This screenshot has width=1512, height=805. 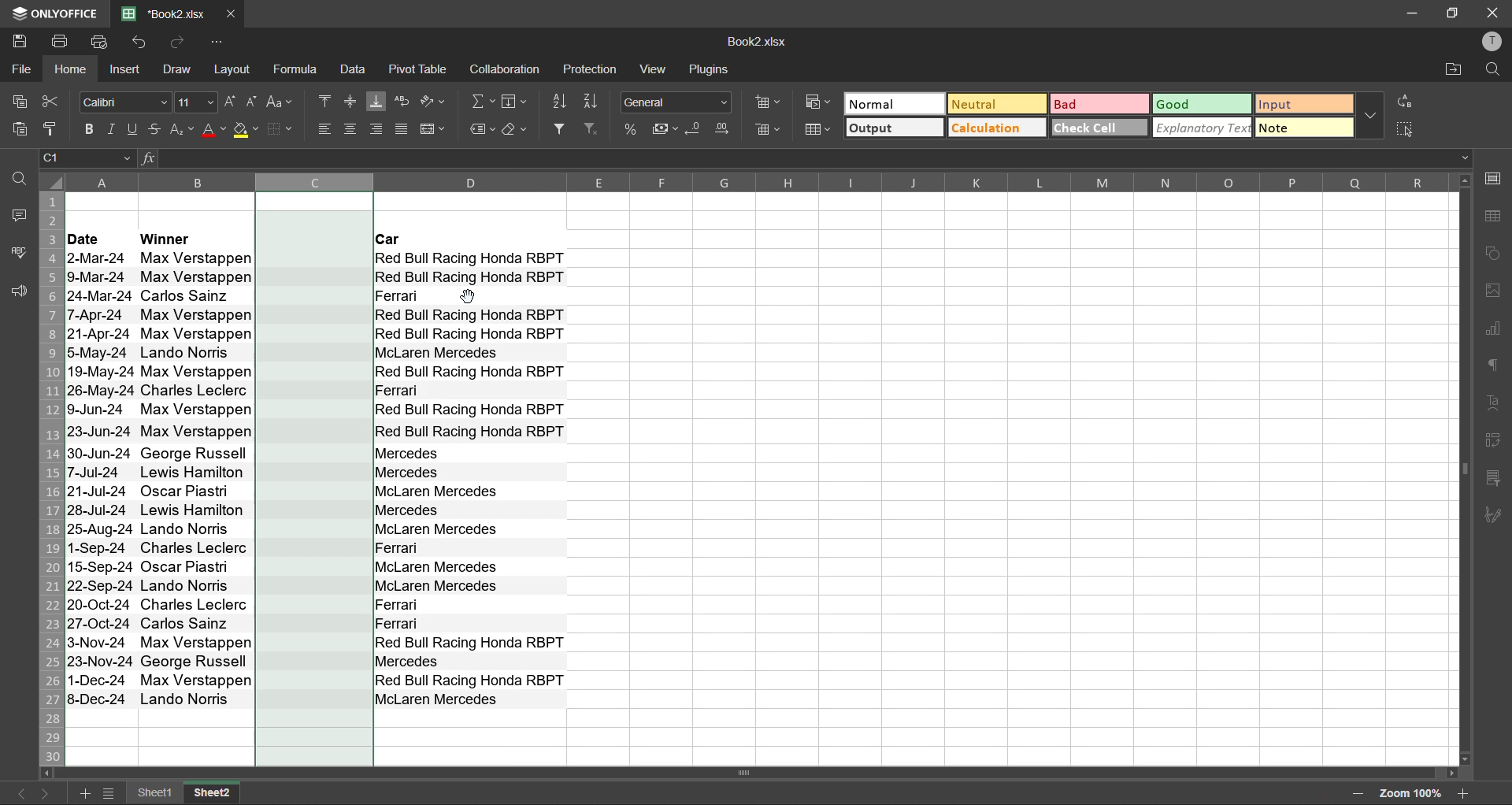 What do you see at coordinates (376, 99) in the screenshot?
I see `align bottom` at bounding box center [376, 99].